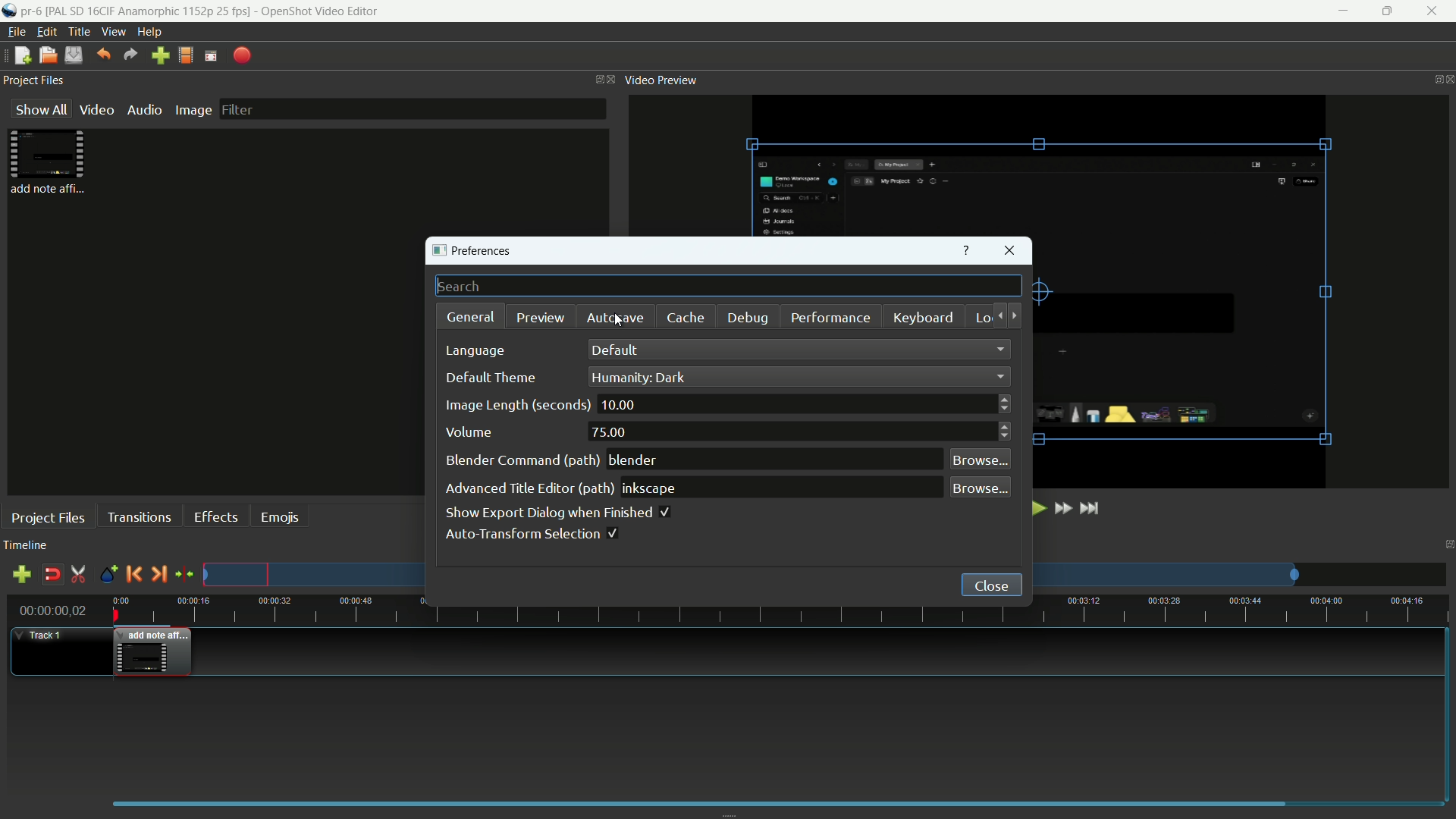  I want to click on export, so click(243, 57).